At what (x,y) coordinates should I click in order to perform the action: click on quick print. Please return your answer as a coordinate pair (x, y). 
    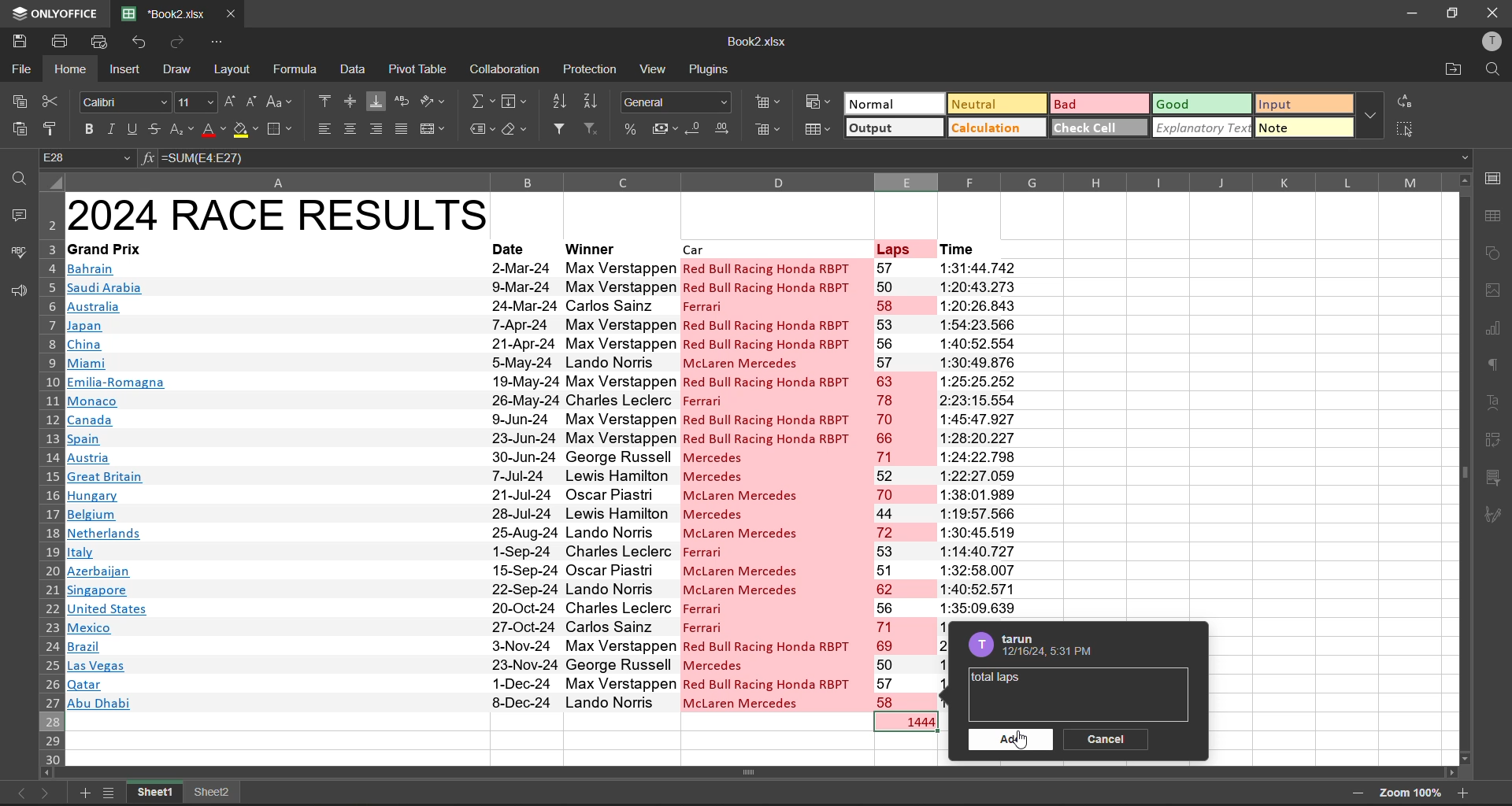
    Looking at the image, I should click on (98, 41).